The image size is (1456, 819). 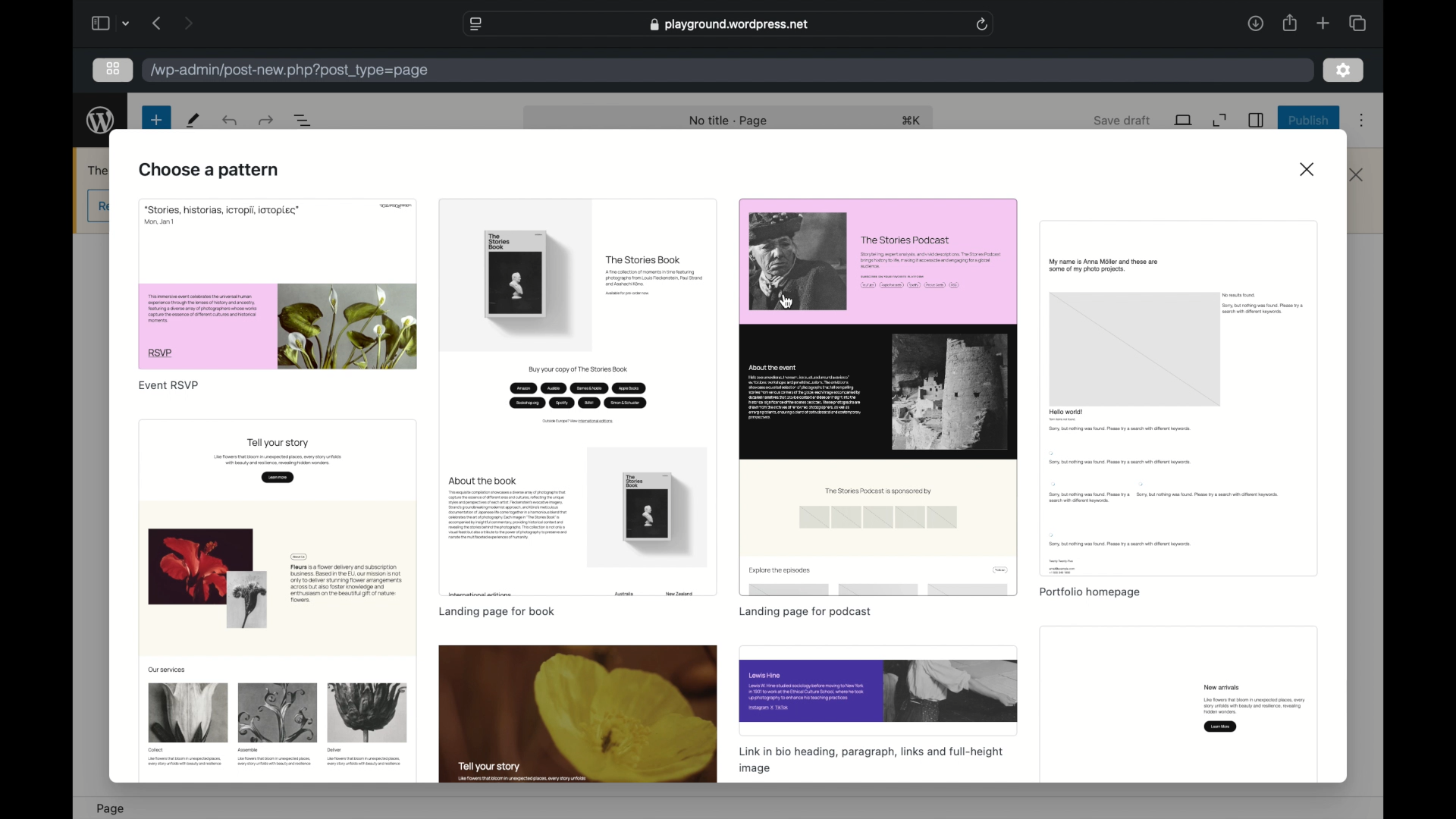 I want to click on landing page for podcast, so click(x=806, y=613).